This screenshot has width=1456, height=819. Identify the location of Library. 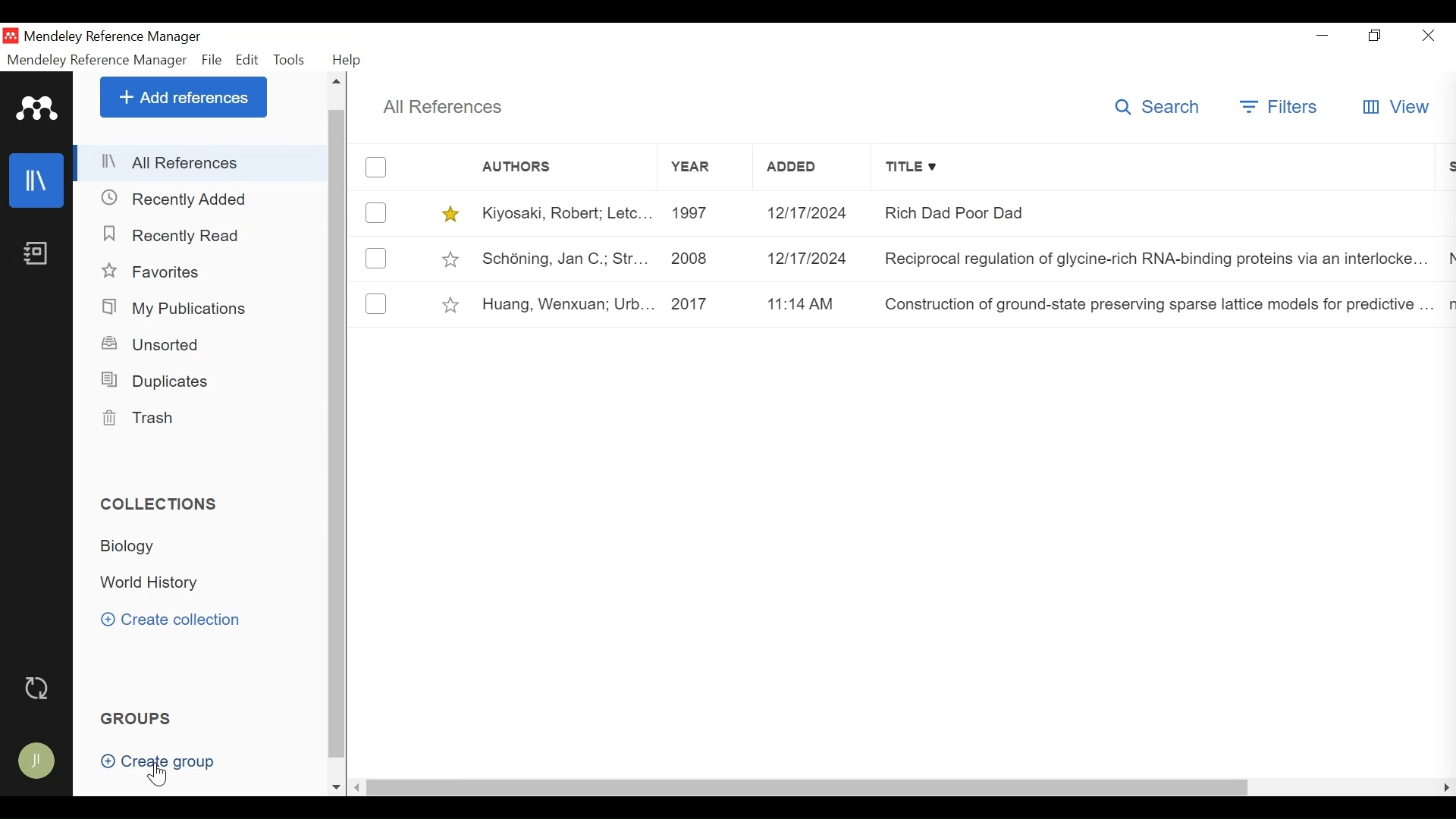
(37, 181).